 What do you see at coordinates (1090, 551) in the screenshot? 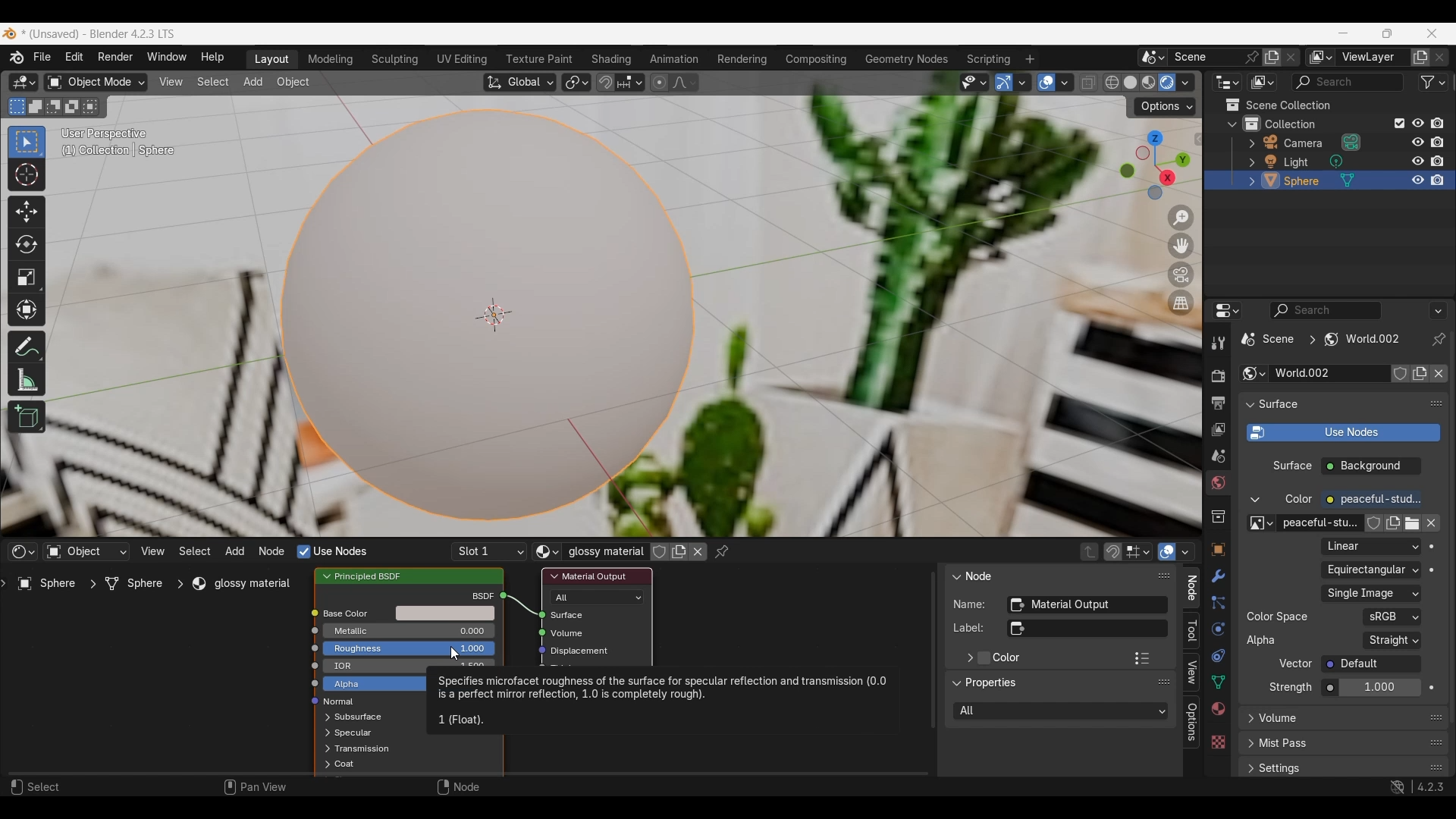
I see `Parent node tree` at bounding box center [1090, 551].